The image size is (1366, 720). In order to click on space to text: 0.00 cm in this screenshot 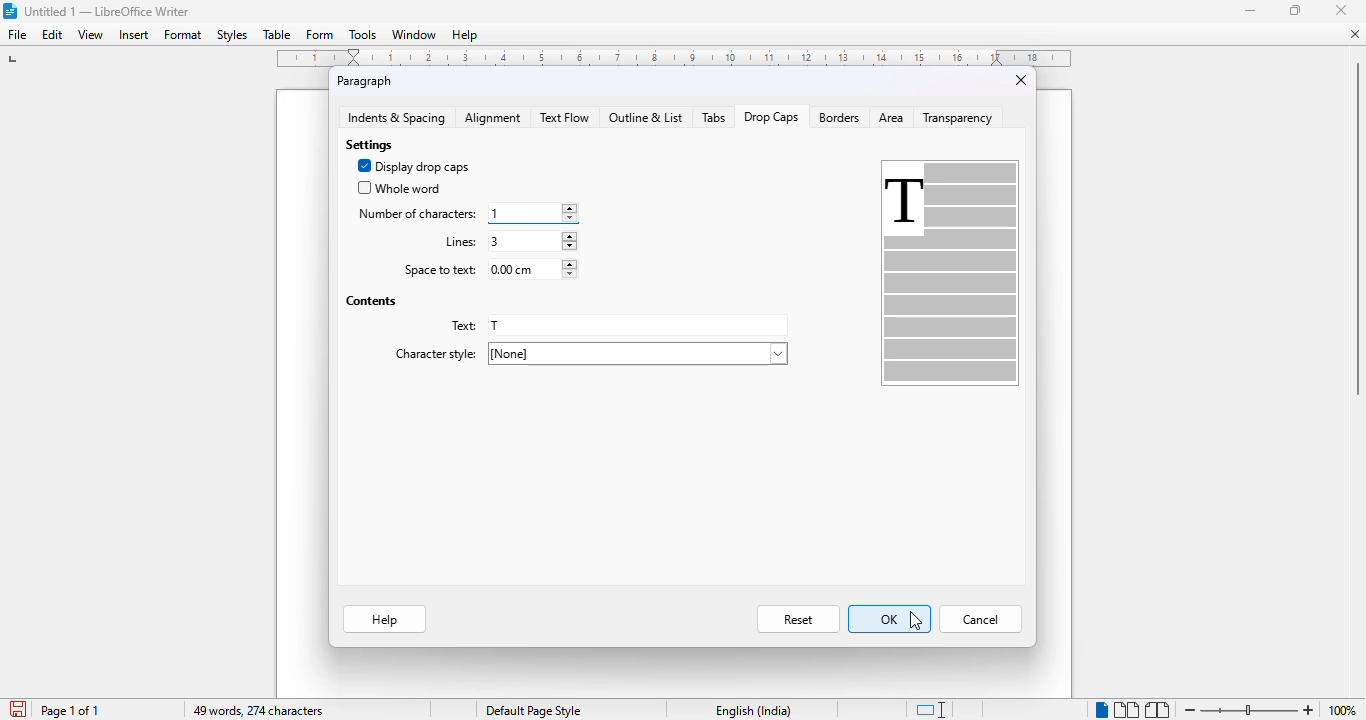, I will do `click(489, 268)`.